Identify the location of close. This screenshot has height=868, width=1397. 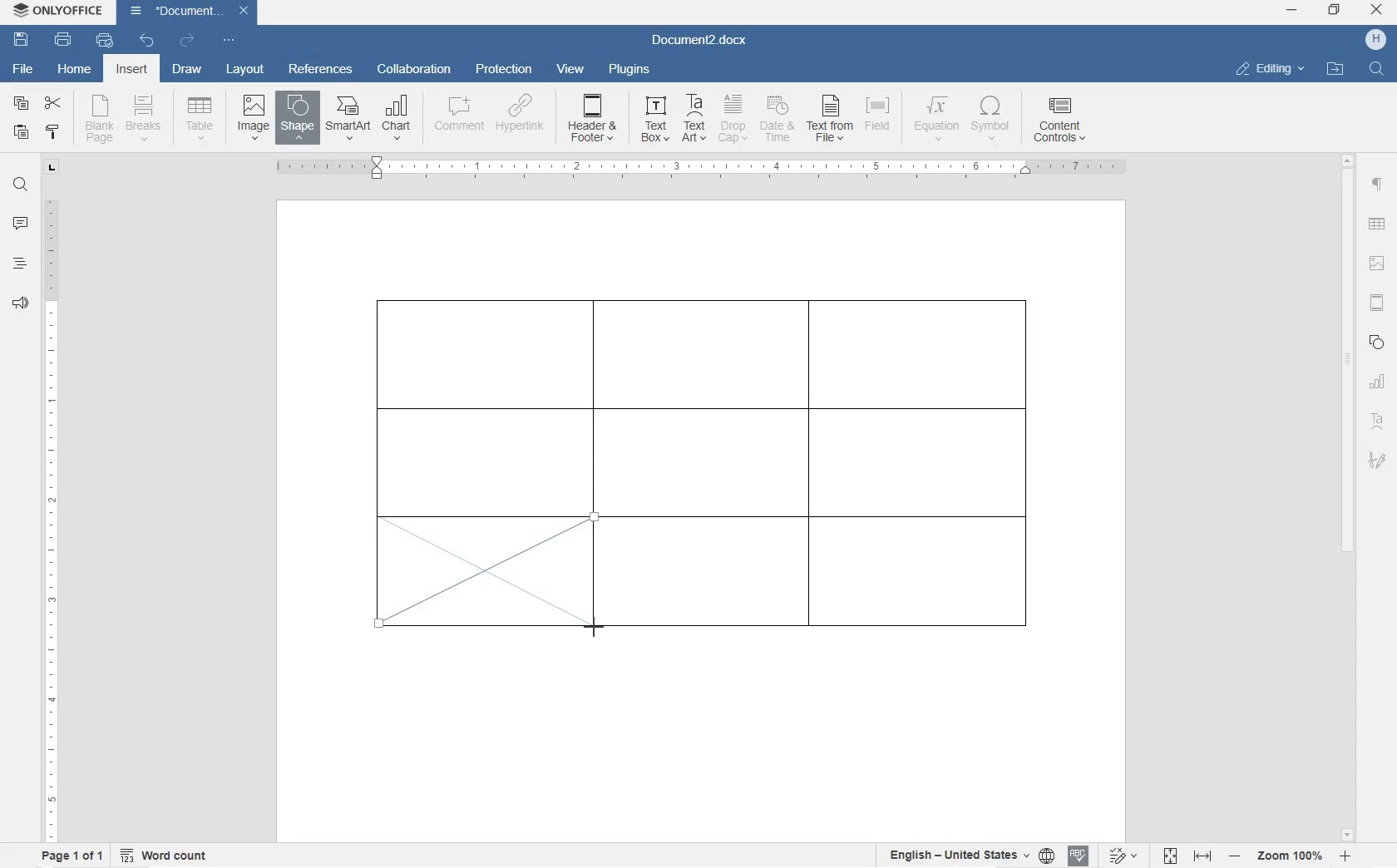
(1376, 11).